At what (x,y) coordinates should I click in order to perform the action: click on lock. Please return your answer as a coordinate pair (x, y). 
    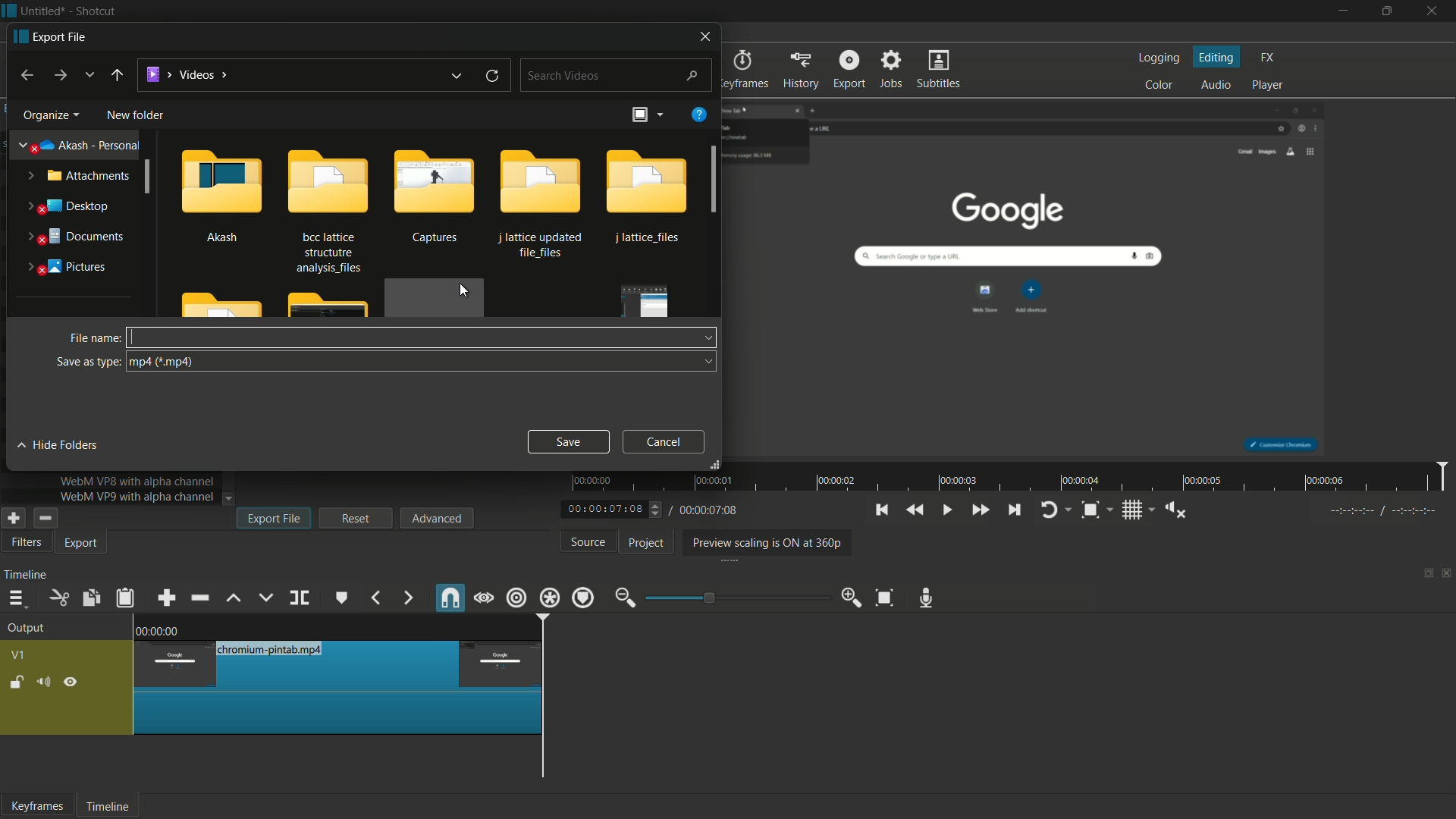
    Looking at the image, I should click on (17, 684).